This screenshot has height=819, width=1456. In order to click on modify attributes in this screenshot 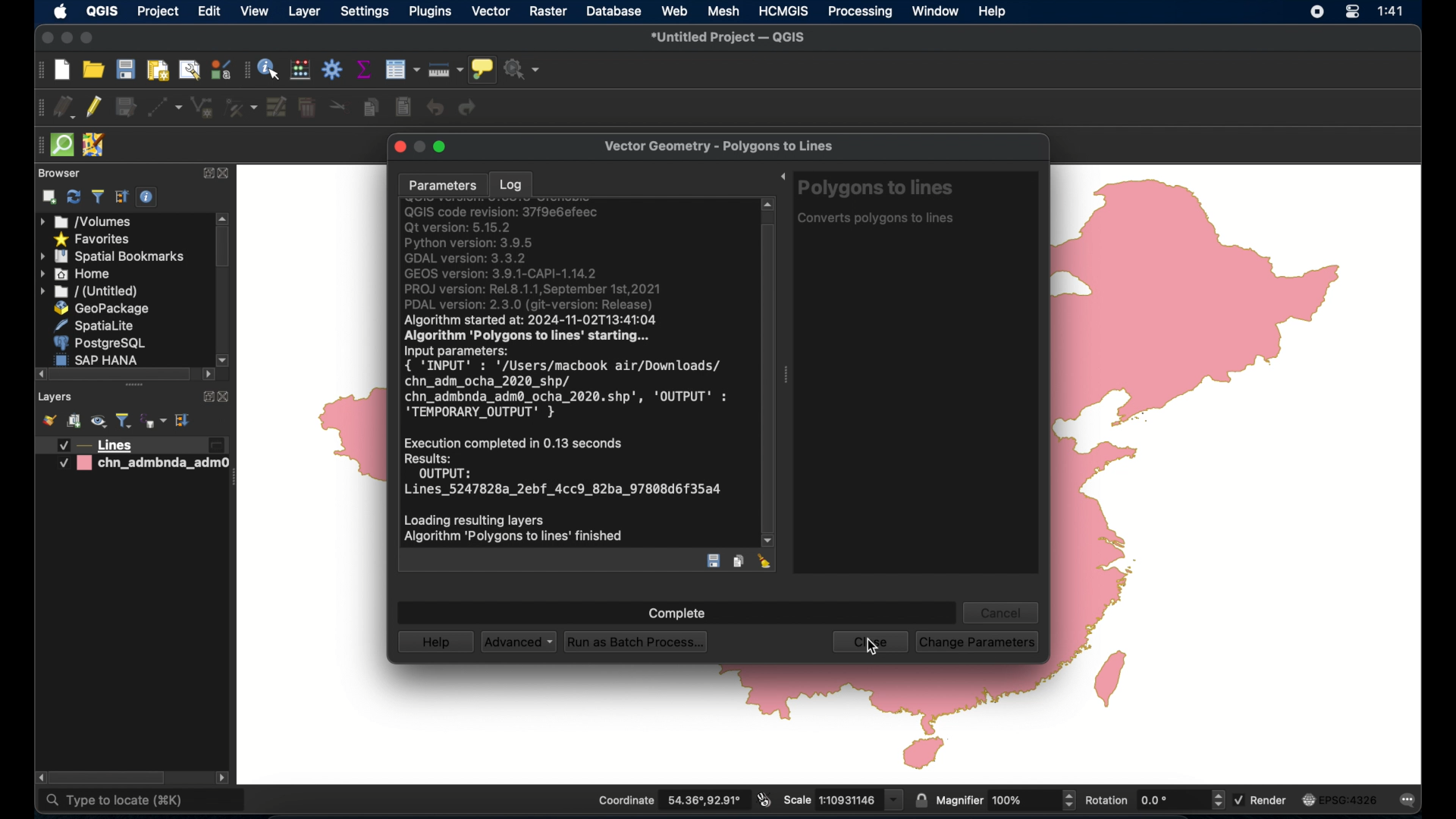, I will do `click(278, 107)`.